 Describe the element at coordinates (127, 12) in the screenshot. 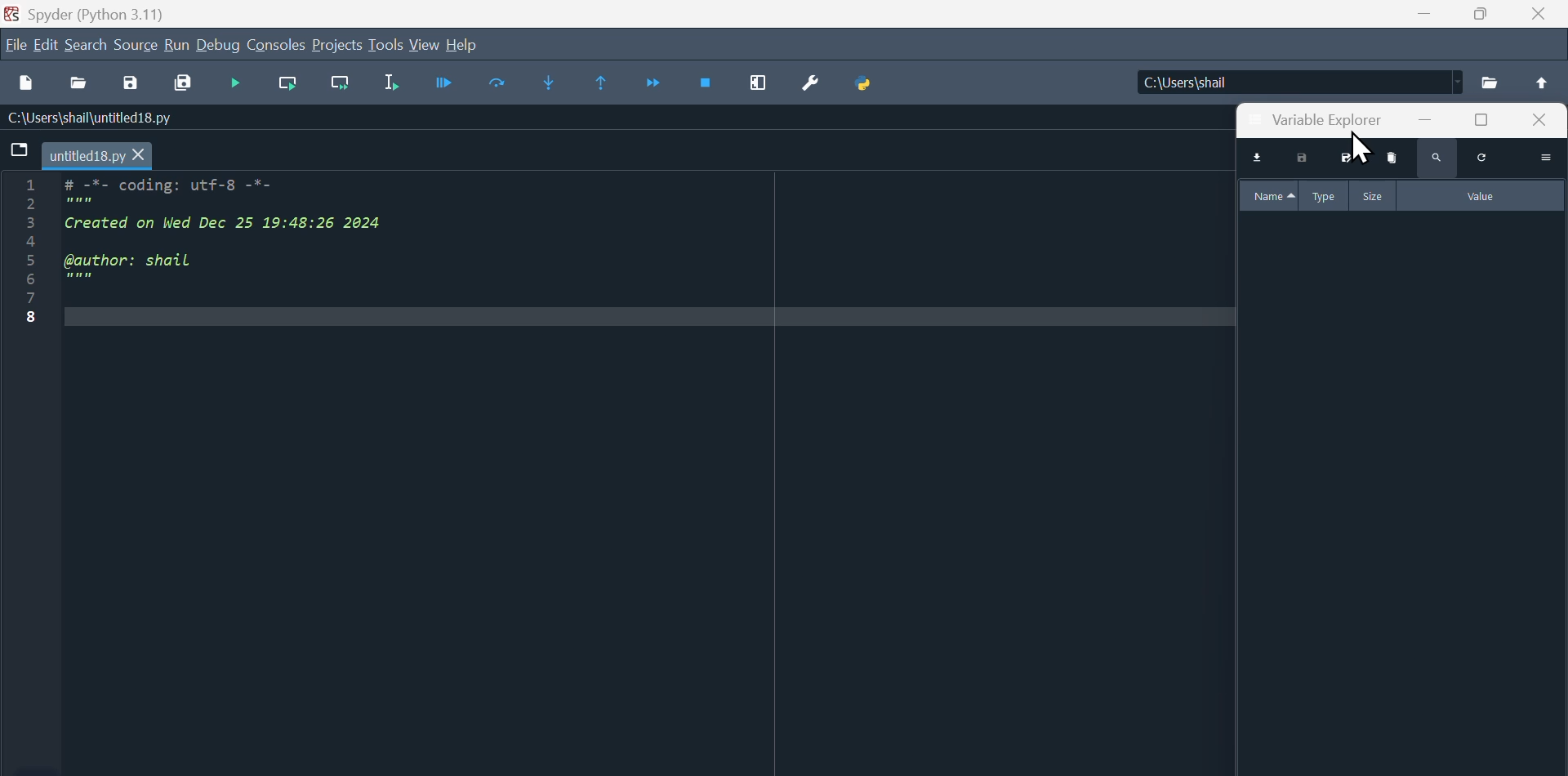

I see `Spyder (Python 3.11)` at that location.